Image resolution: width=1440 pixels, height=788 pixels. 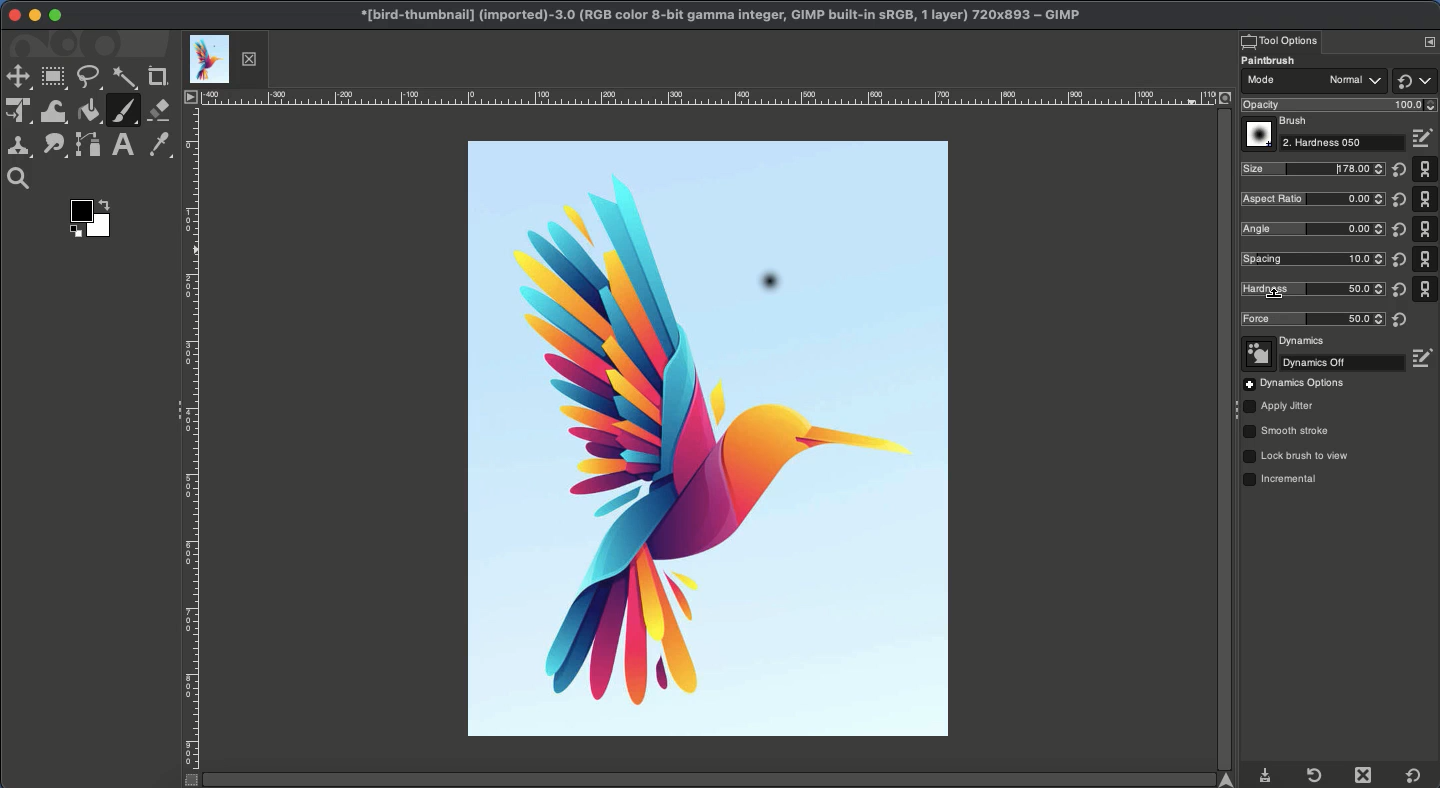 I want to click on Image, so click(x=712, y=524).